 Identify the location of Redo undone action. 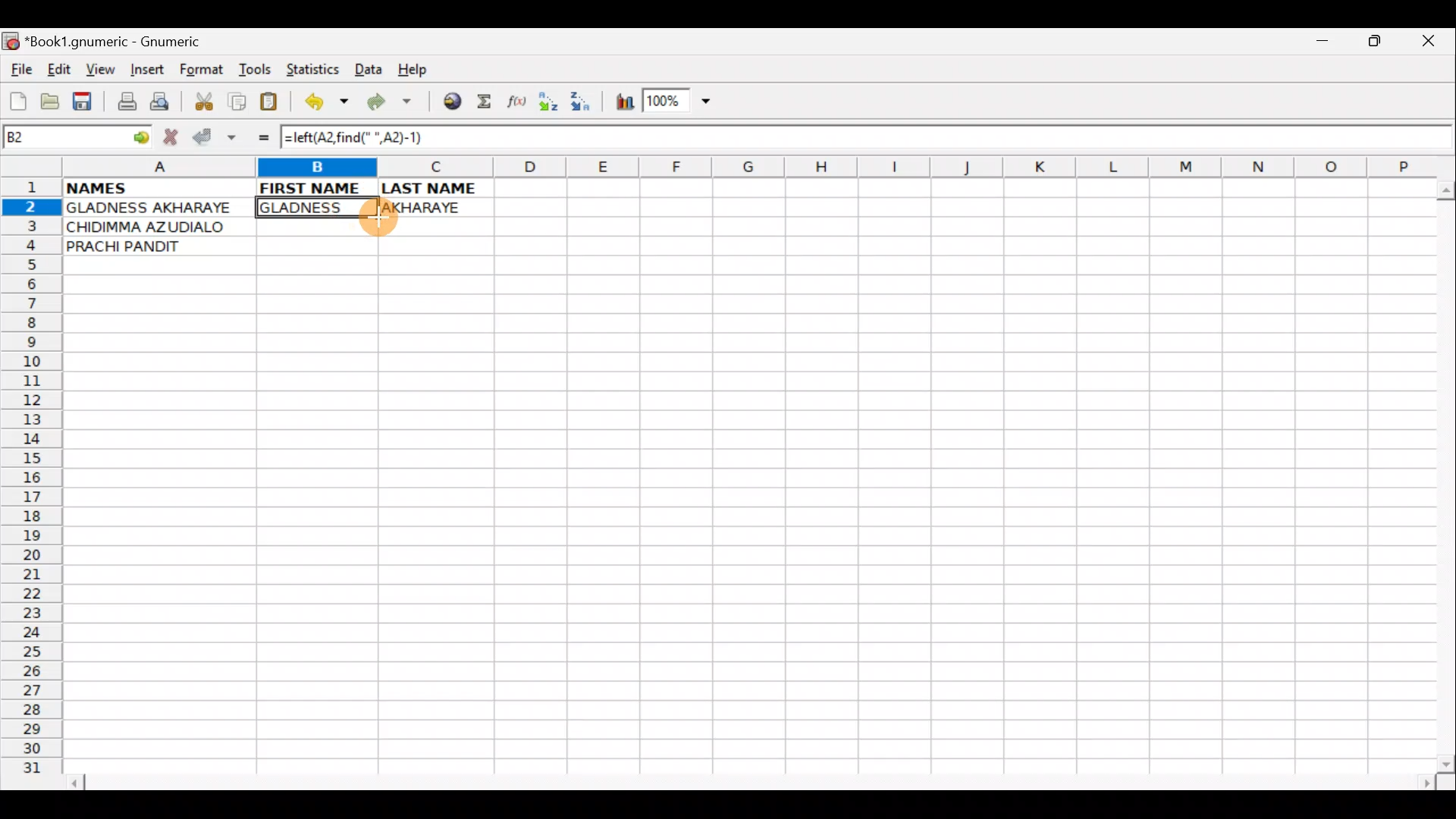
(393, 104).